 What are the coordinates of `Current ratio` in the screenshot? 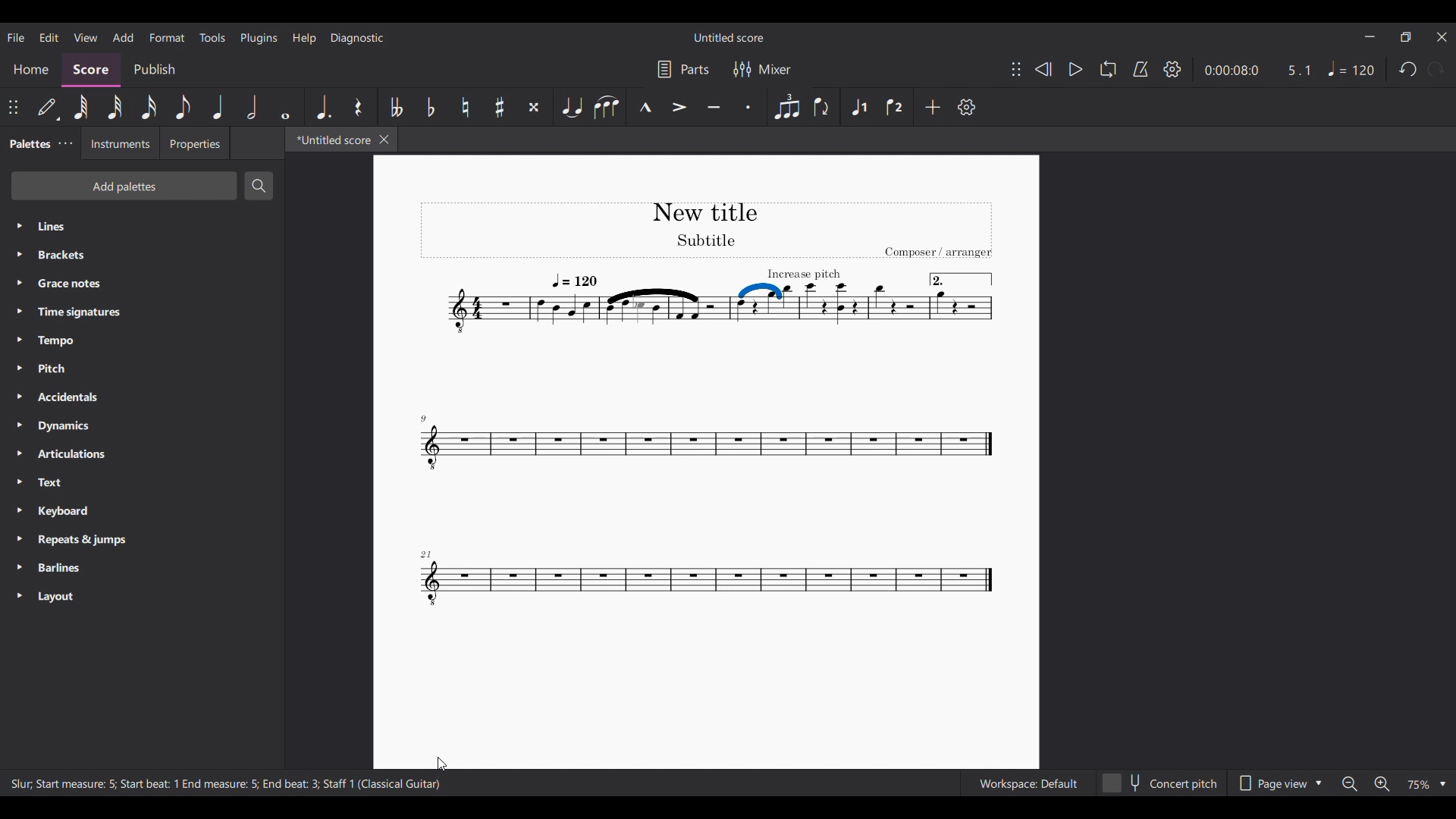 It's located at (1299, 70).